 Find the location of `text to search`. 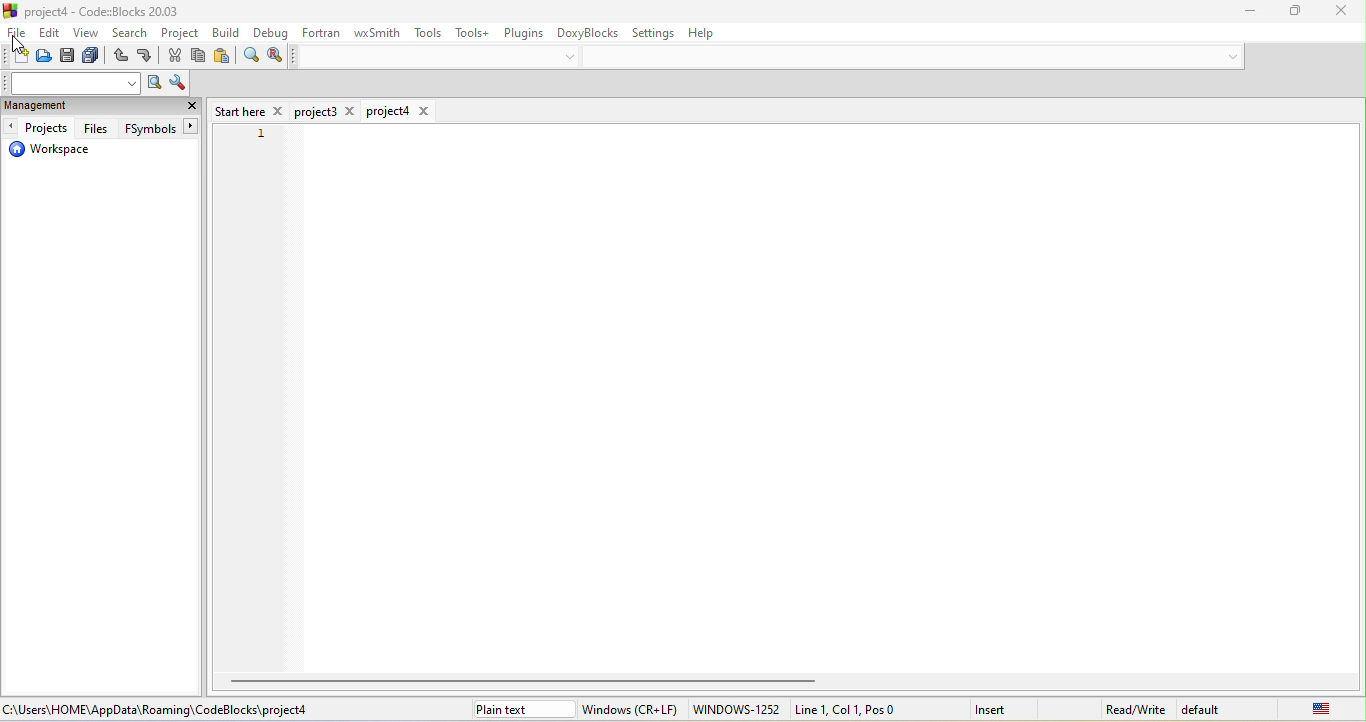

text to search is located at coordinates (73, 83).